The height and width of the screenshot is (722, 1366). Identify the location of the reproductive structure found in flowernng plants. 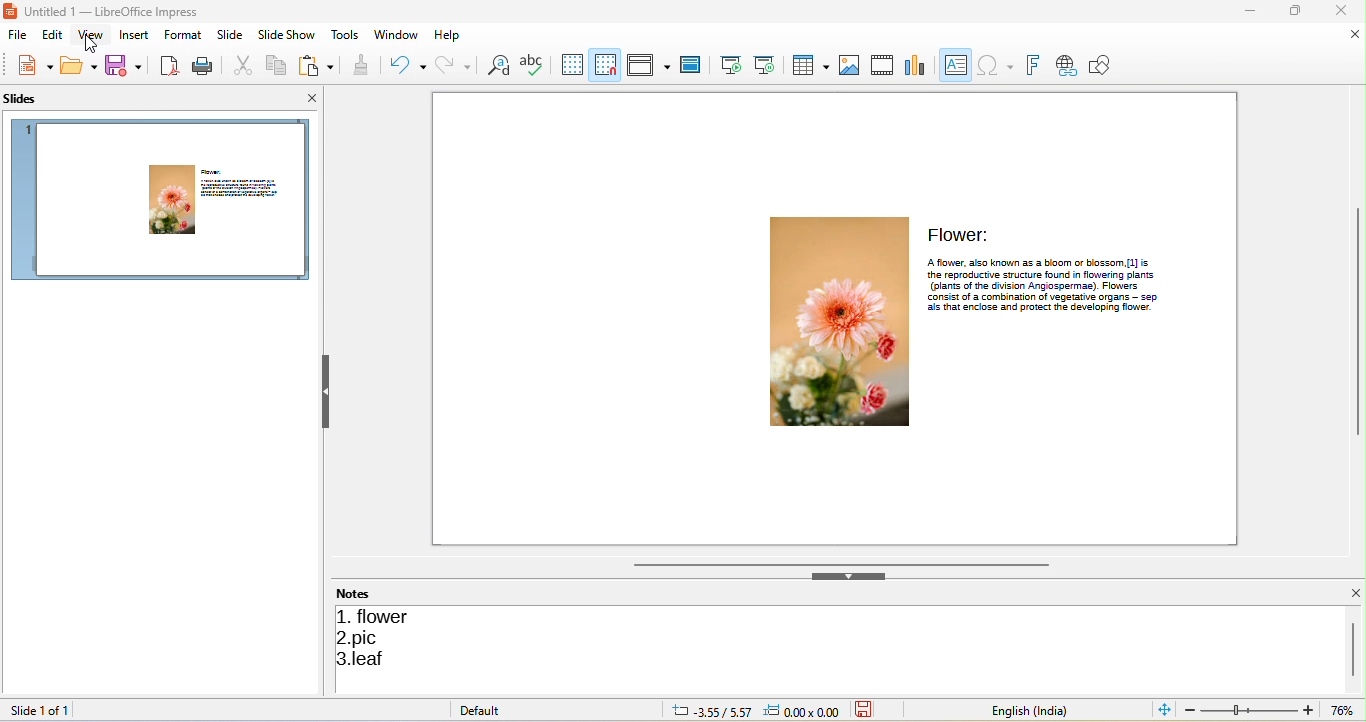
(1044, 275).